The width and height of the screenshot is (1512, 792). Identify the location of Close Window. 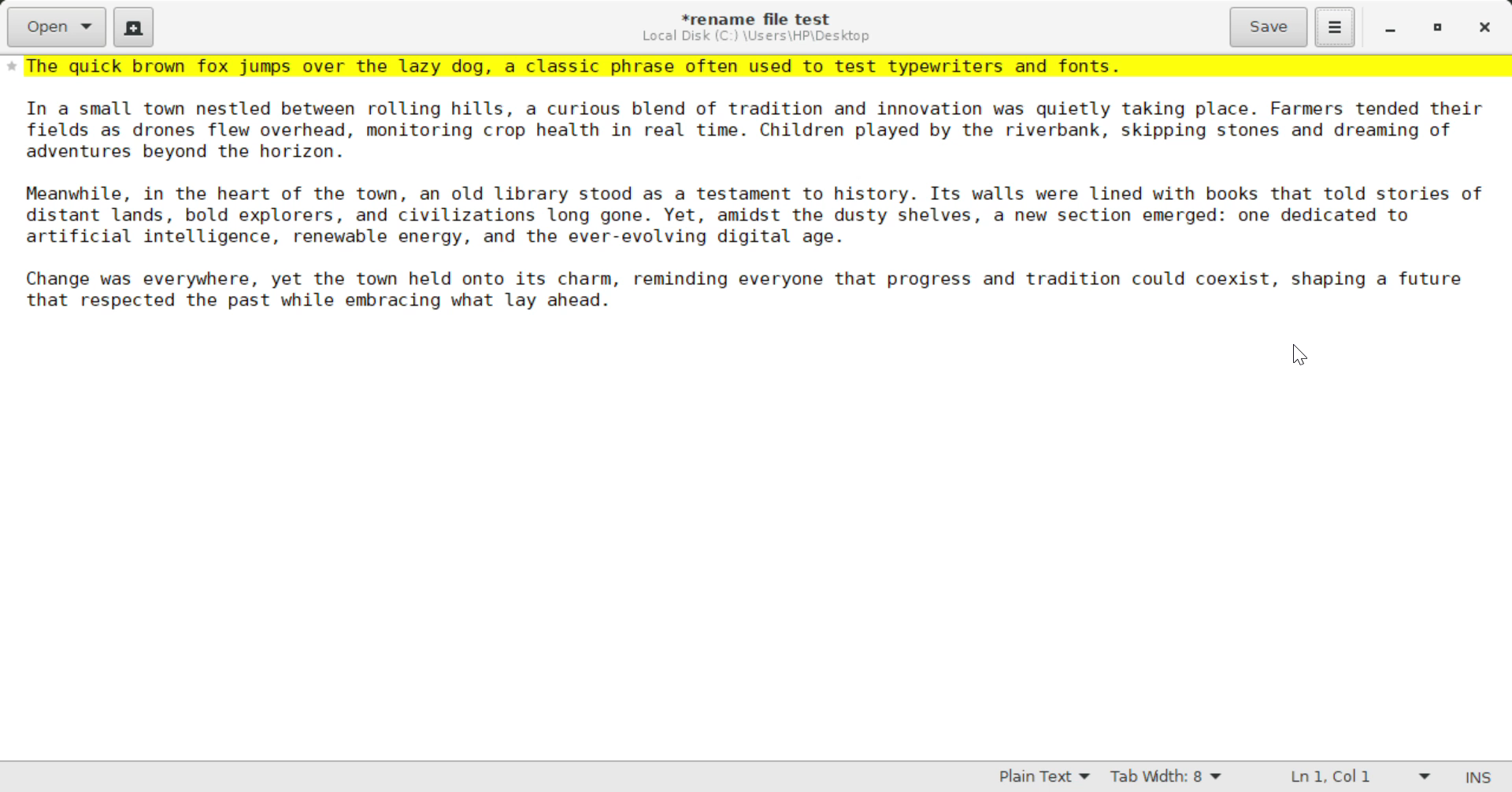
(1488, 29).